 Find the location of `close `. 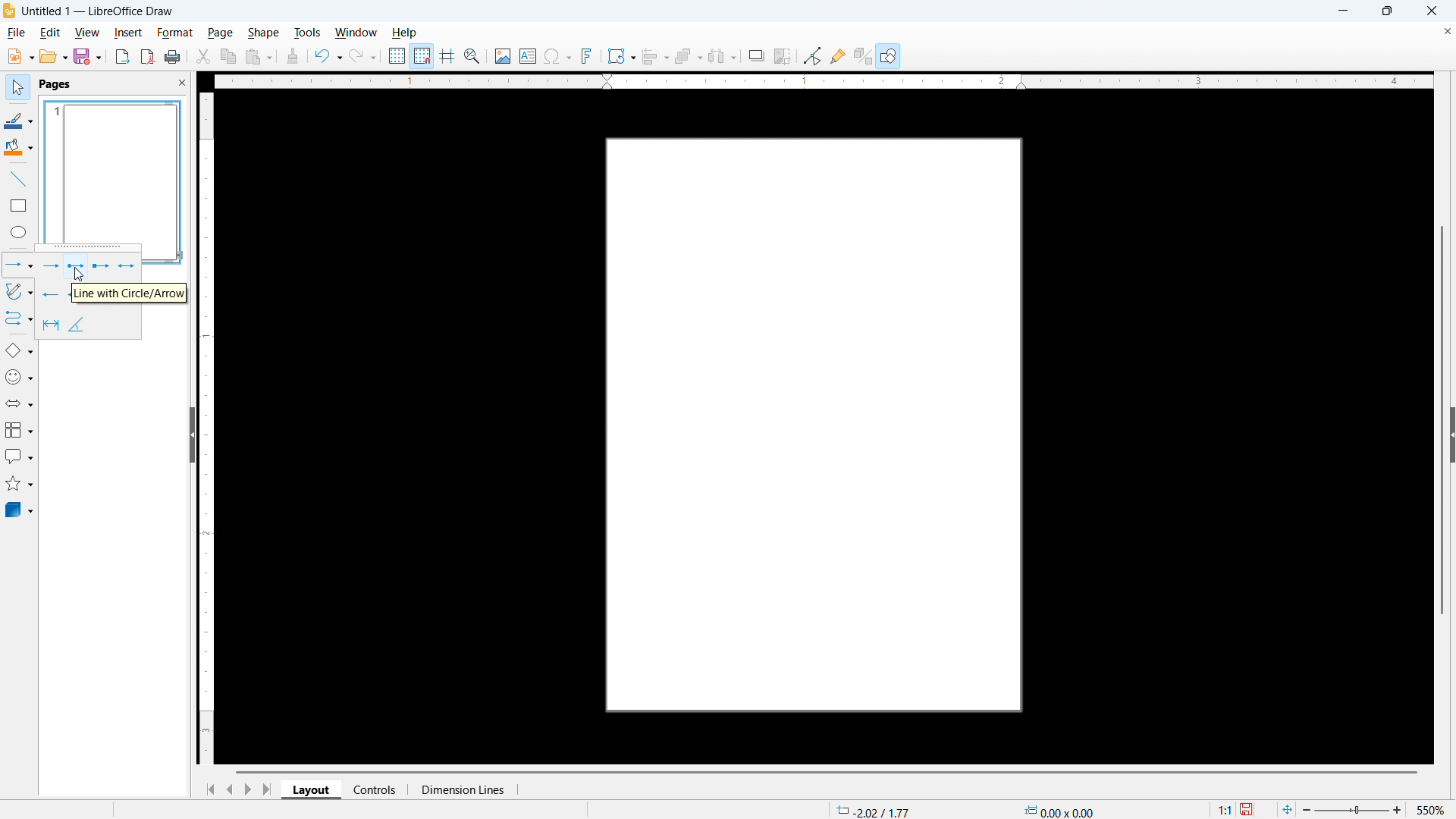

close  is located at coordinates (1431, 11).